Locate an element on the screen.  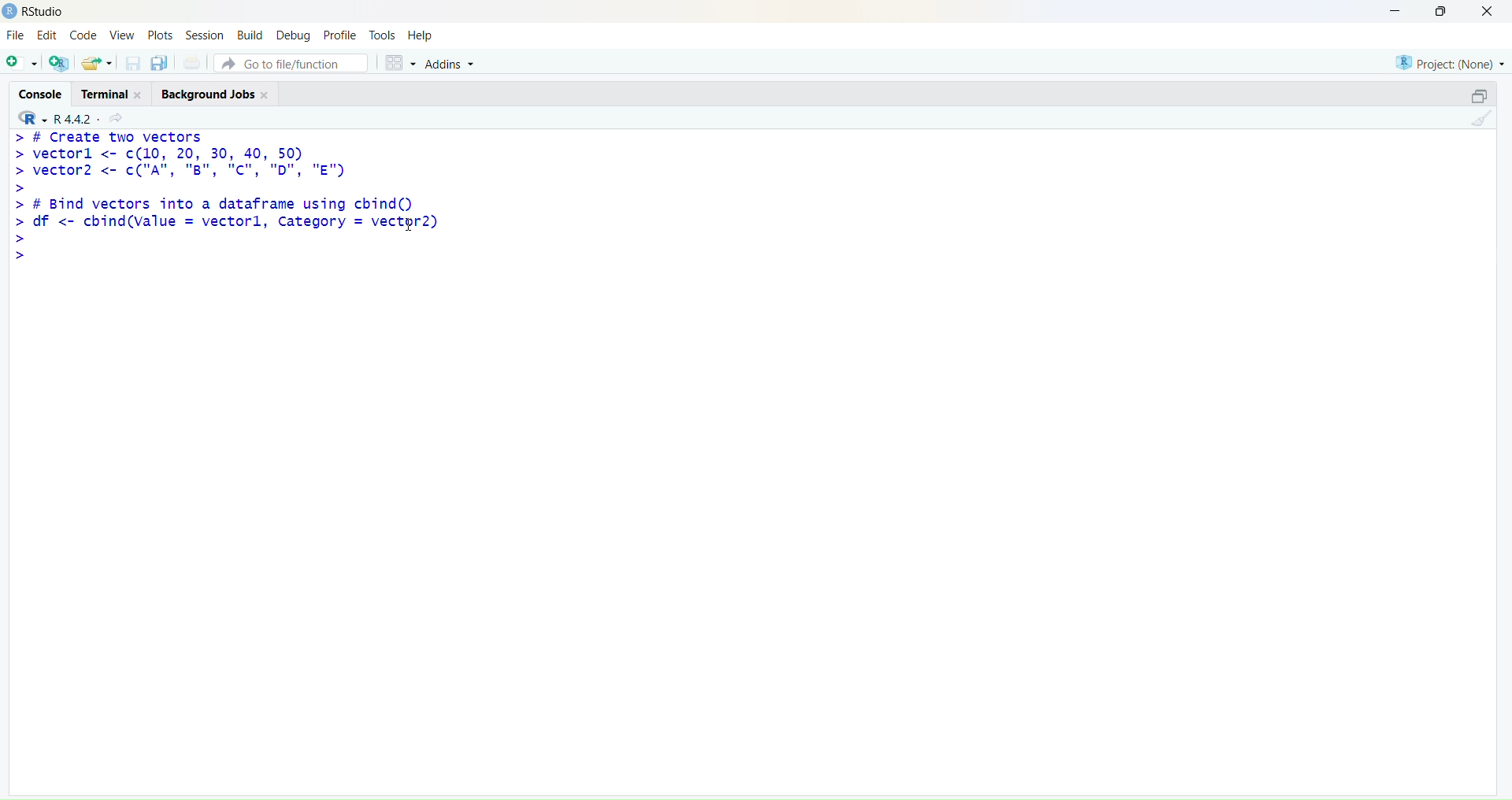
Session is located at coordinates (203, 34).